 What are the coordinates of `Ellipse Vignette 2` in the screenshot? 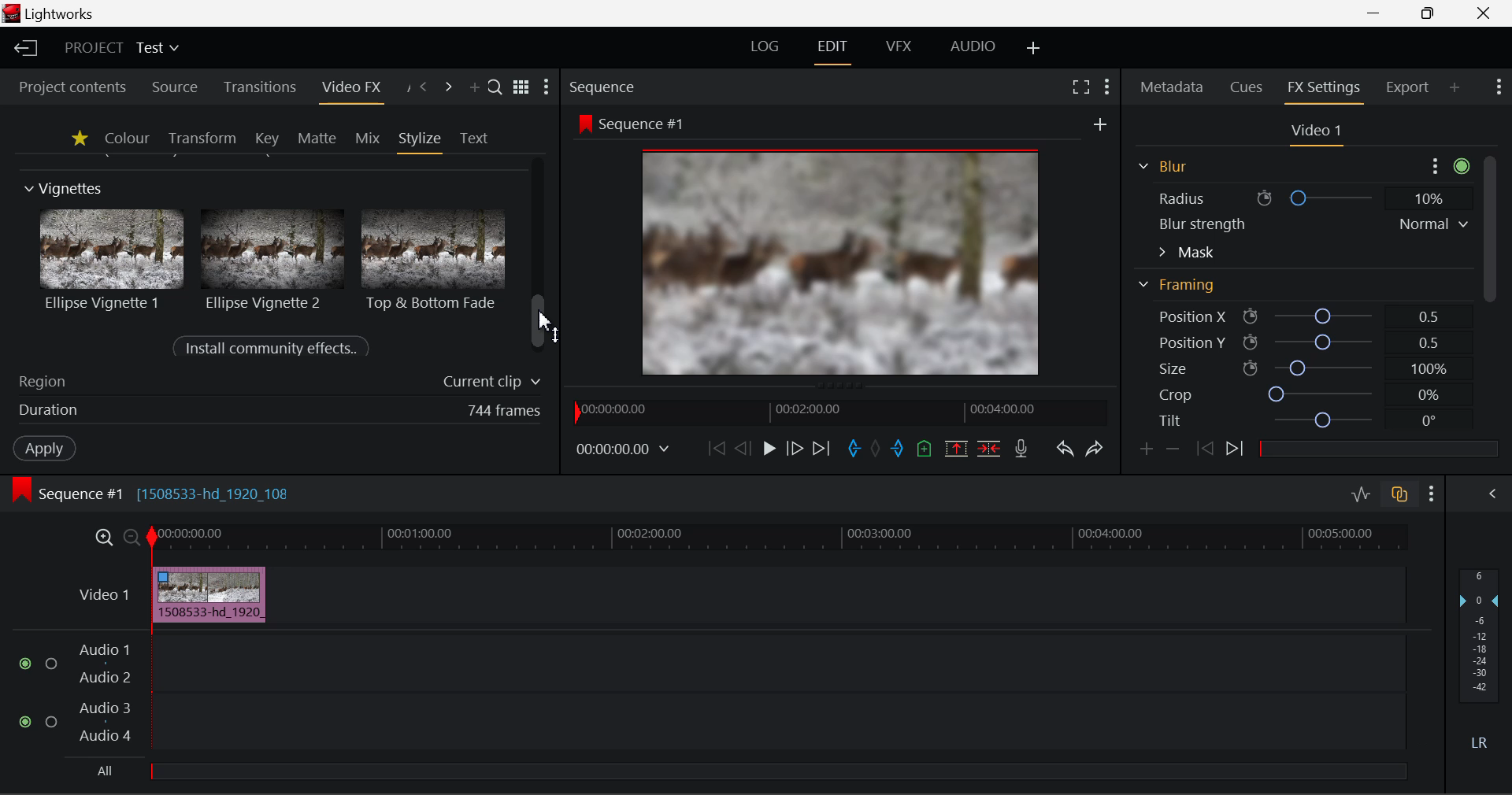 It's located at (271, 258).